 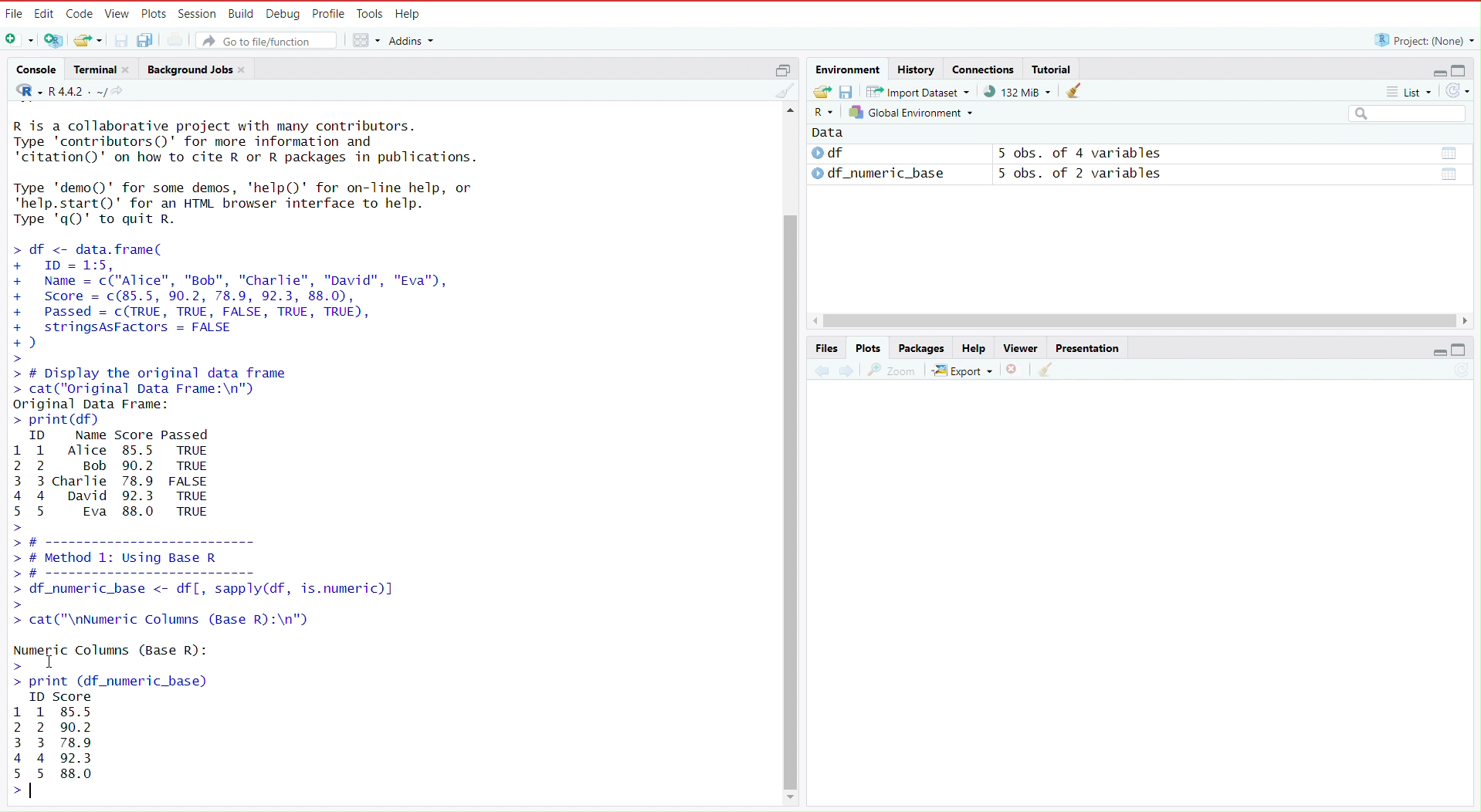 I want to click on session, so click(x=197, y=12).